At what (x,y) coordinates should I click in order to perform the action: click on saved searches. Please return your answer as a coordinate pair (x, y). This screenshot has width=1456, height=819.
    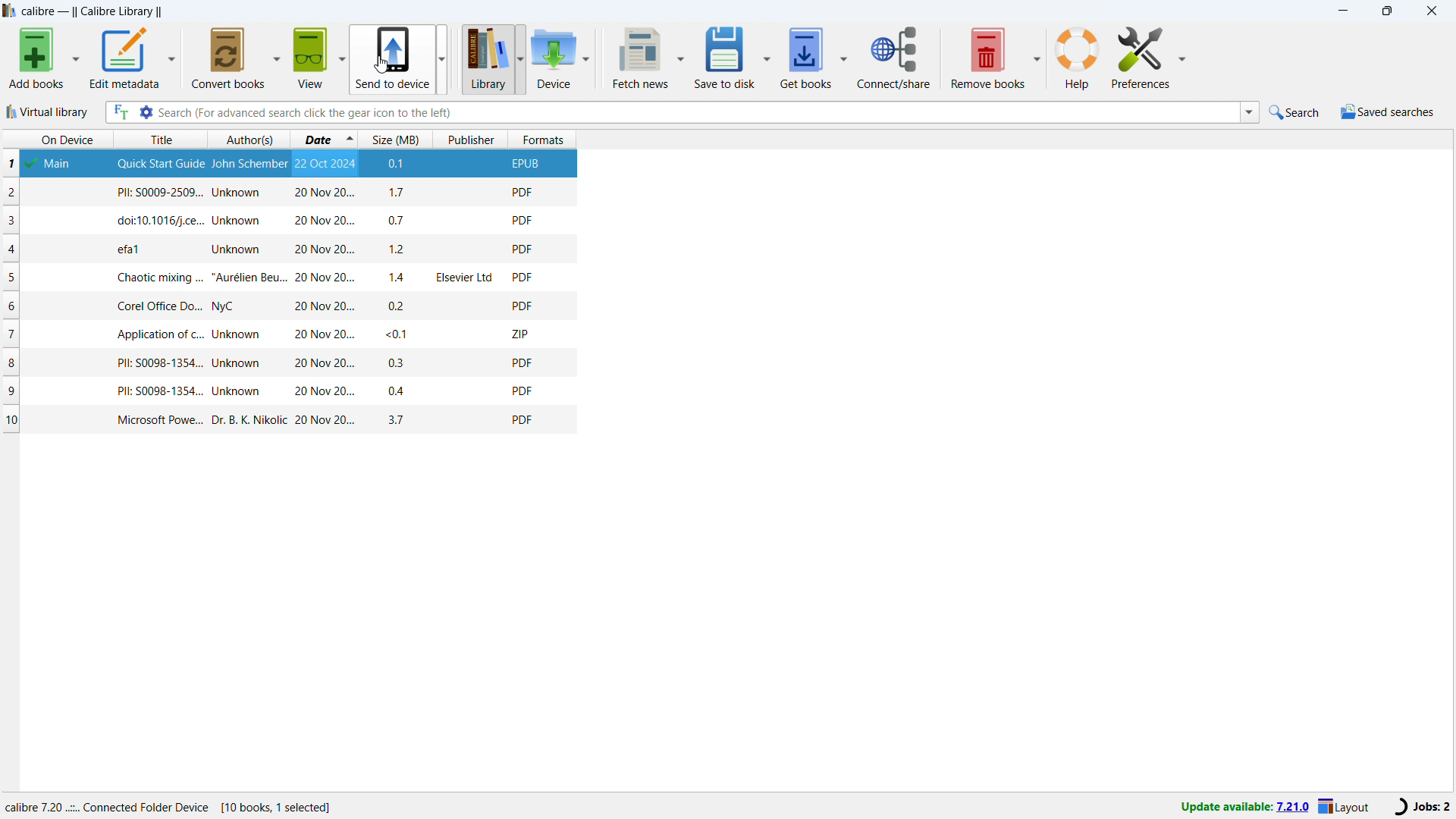
    Looking at the image, I should click on (1388, 112).